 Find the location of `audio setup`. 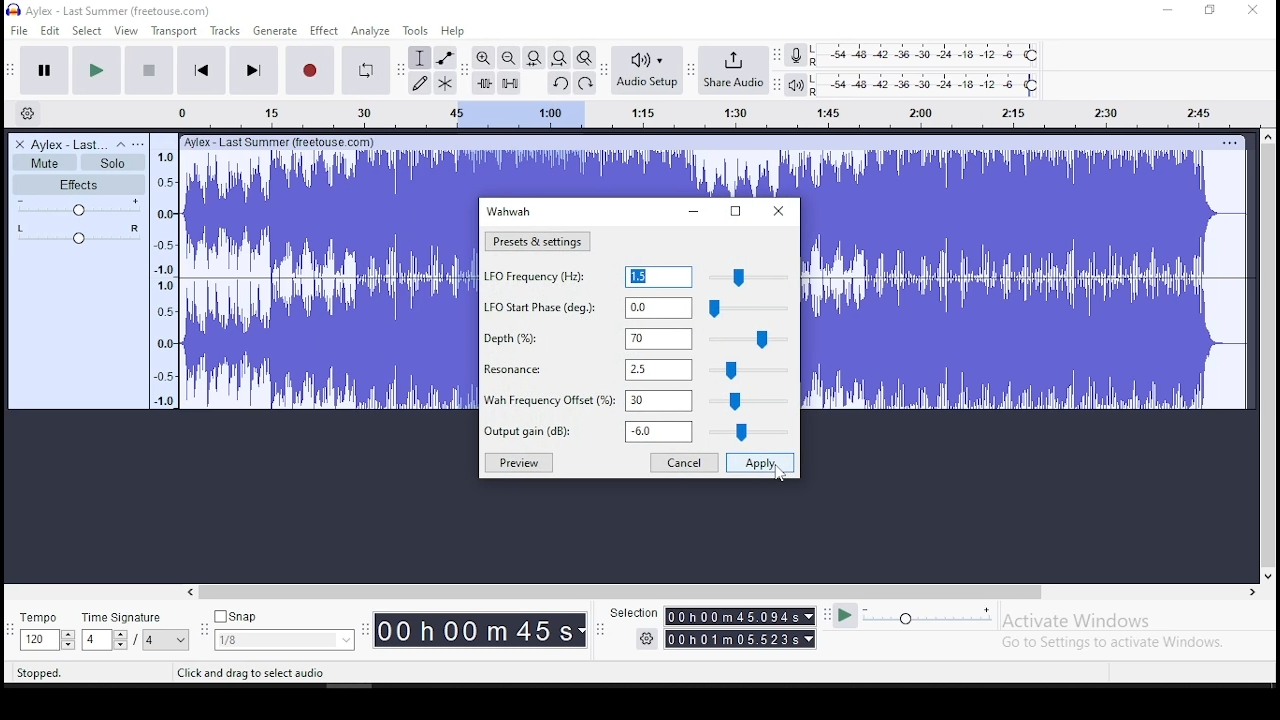

audio setup is located at coordinates (648, 70).